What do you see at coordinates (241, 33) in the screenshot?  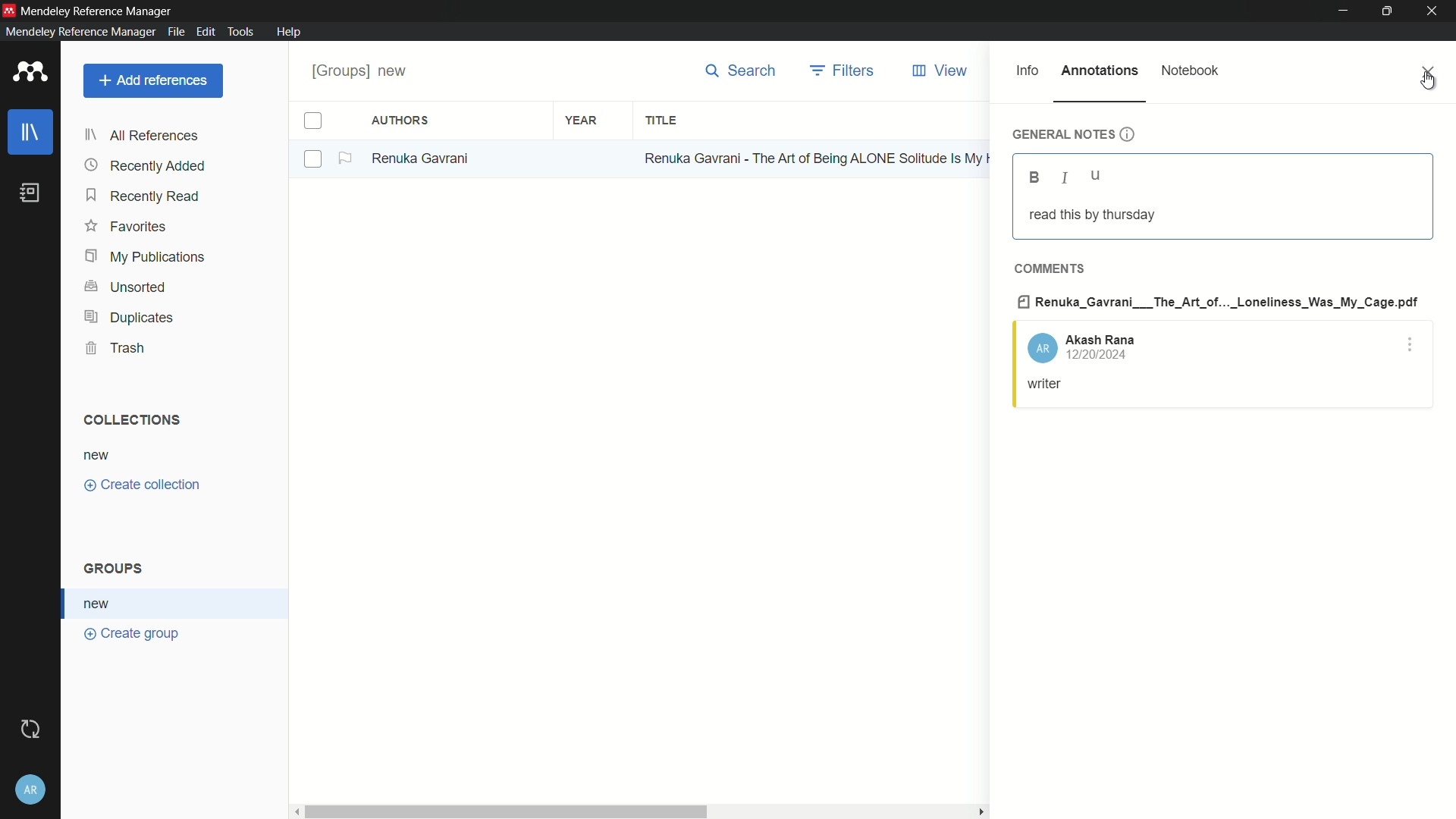 I see `tools` at bounding box center [241, 33].